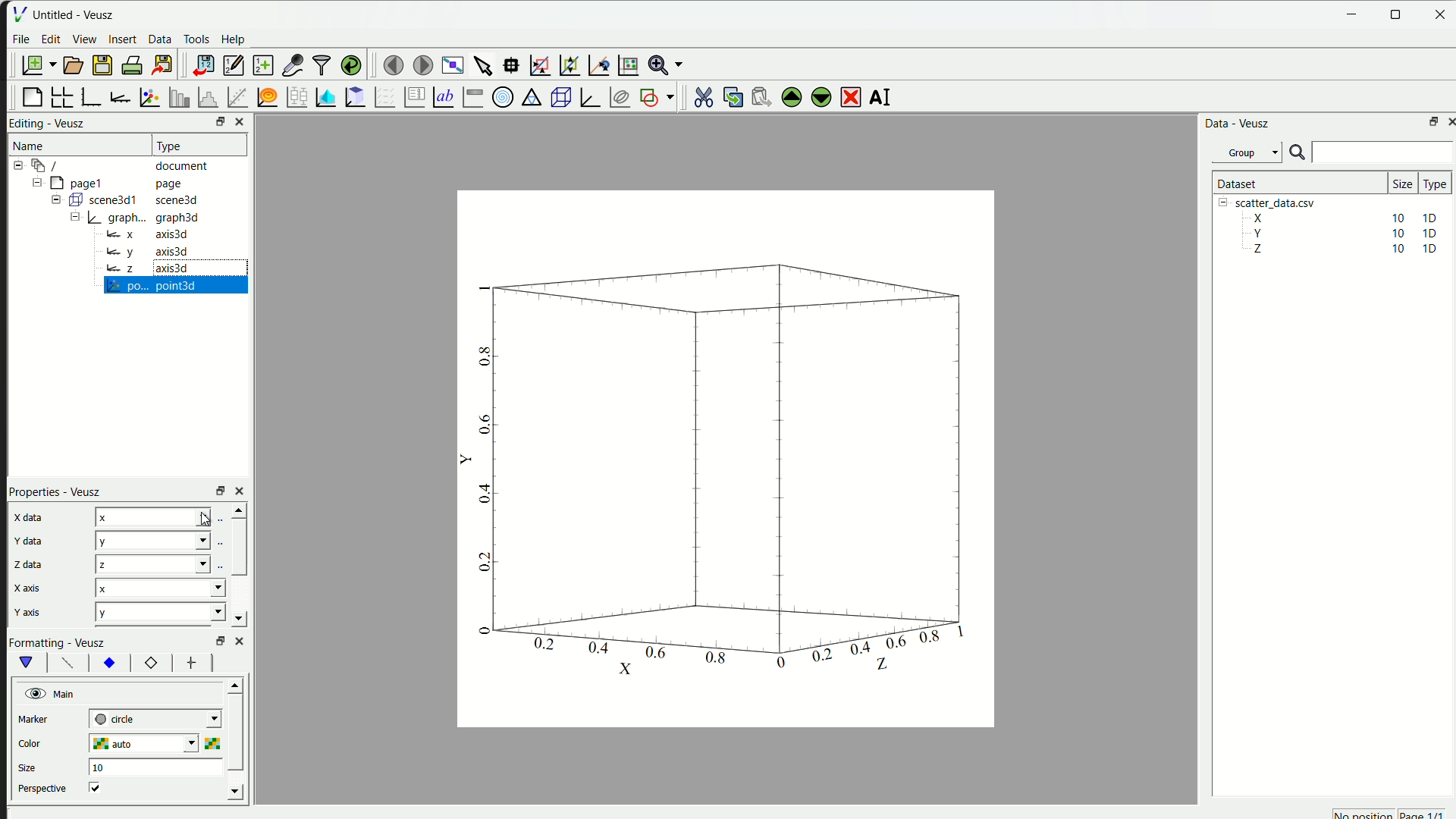 The width and height of the screenshot is (1456, 819). I want to click on search icon, so click(1298, 152).